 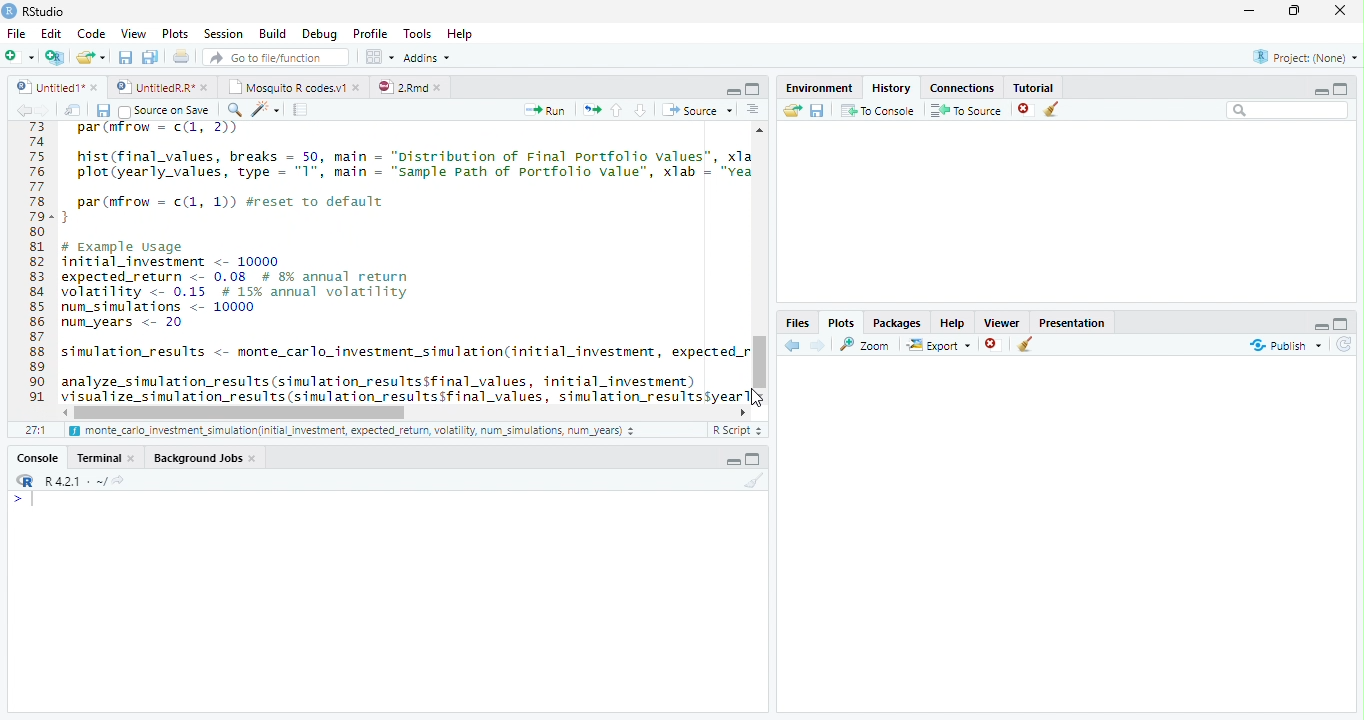 I want to click on Viewer, so click(x=1003, y=320).